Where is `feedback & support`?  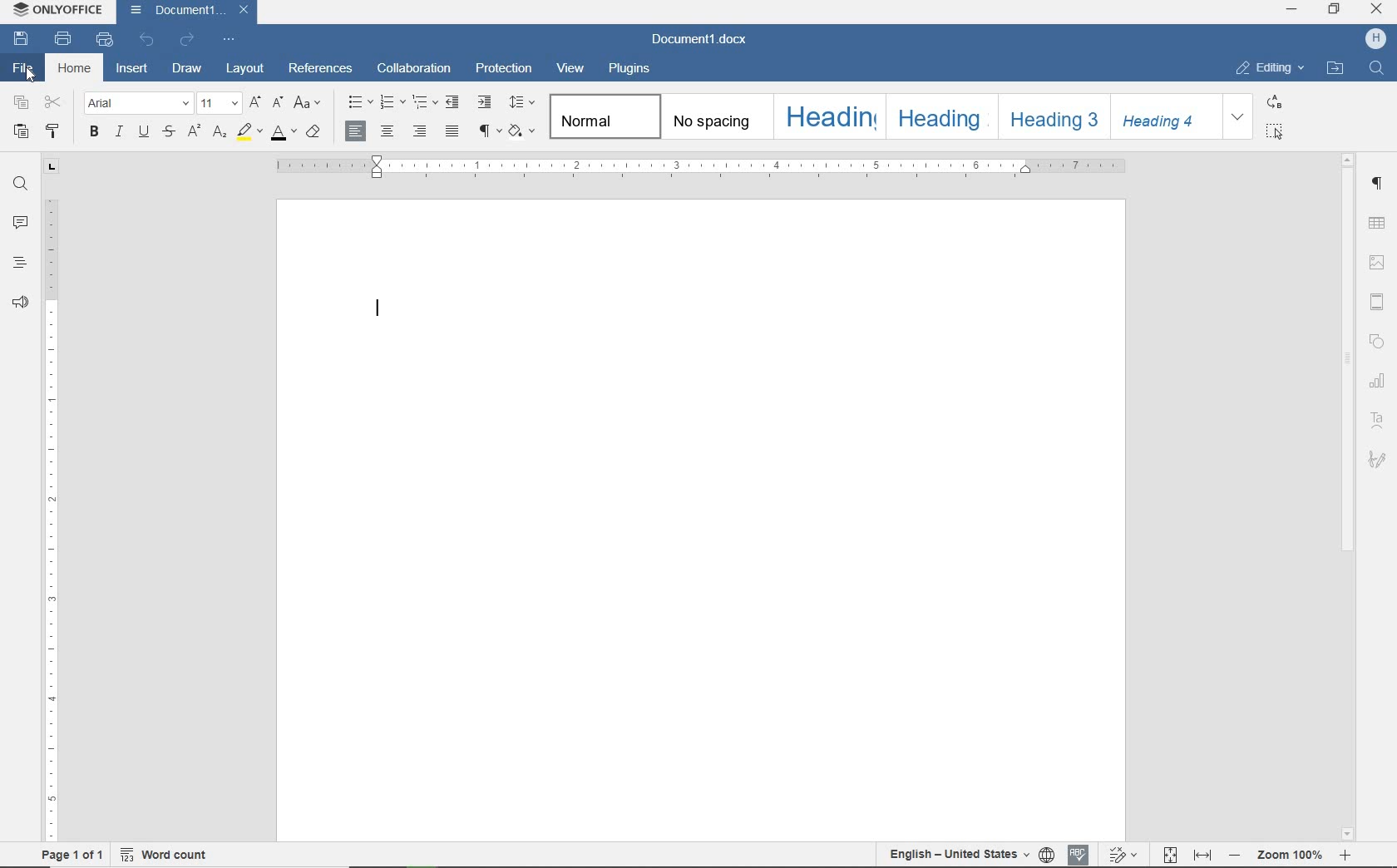 feedback & support is located at coordinates (20, 301).